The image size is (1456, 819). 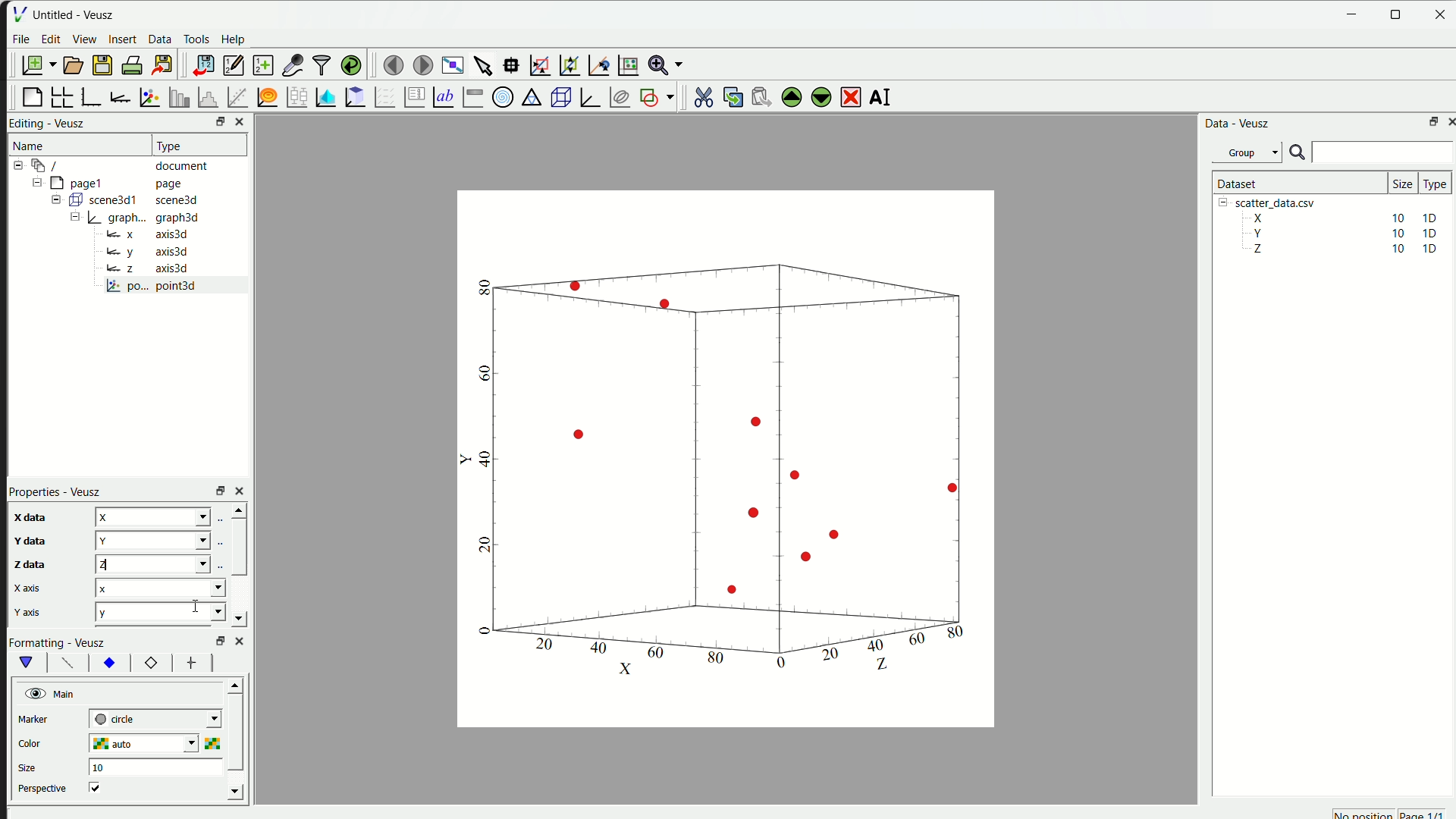 What do you see at coordinates (146, 663) in the screenshot?
I see `12` at bounding box center [146, 663].